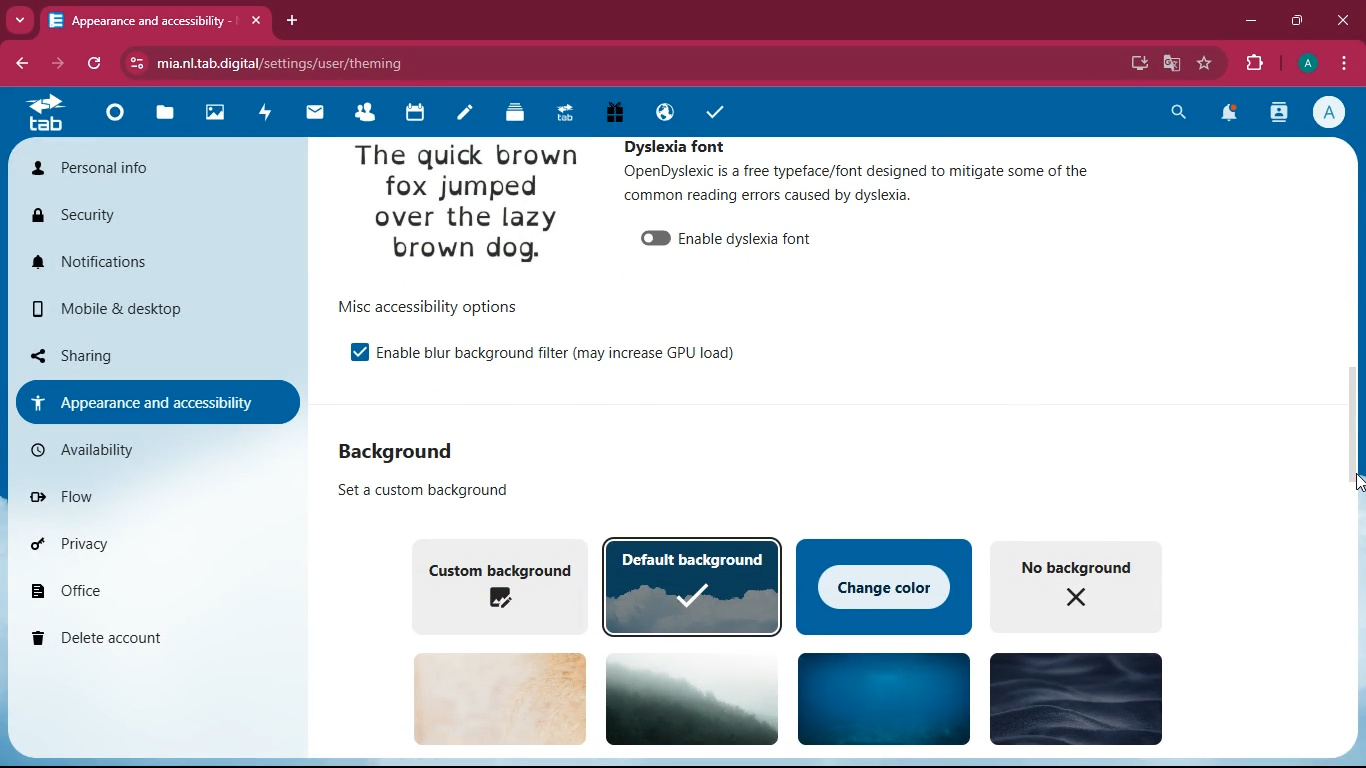 The height and width of the screenshot is (768, 1366). Describe the element at coordinates (1340, 490) in the screenshot. I see `cursor` at that location.